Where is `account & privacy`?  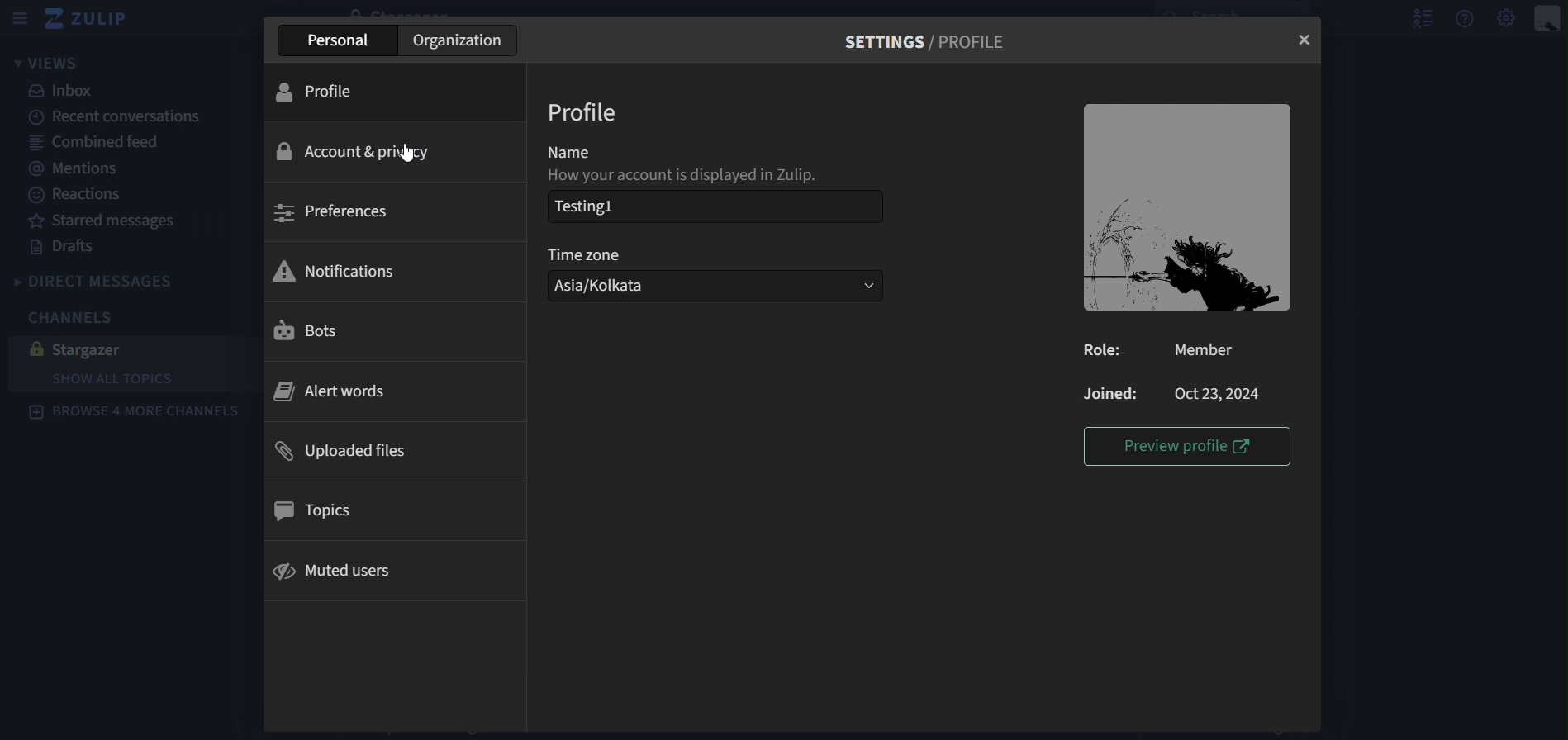
account & privacy is located at coordinates (359, 149).